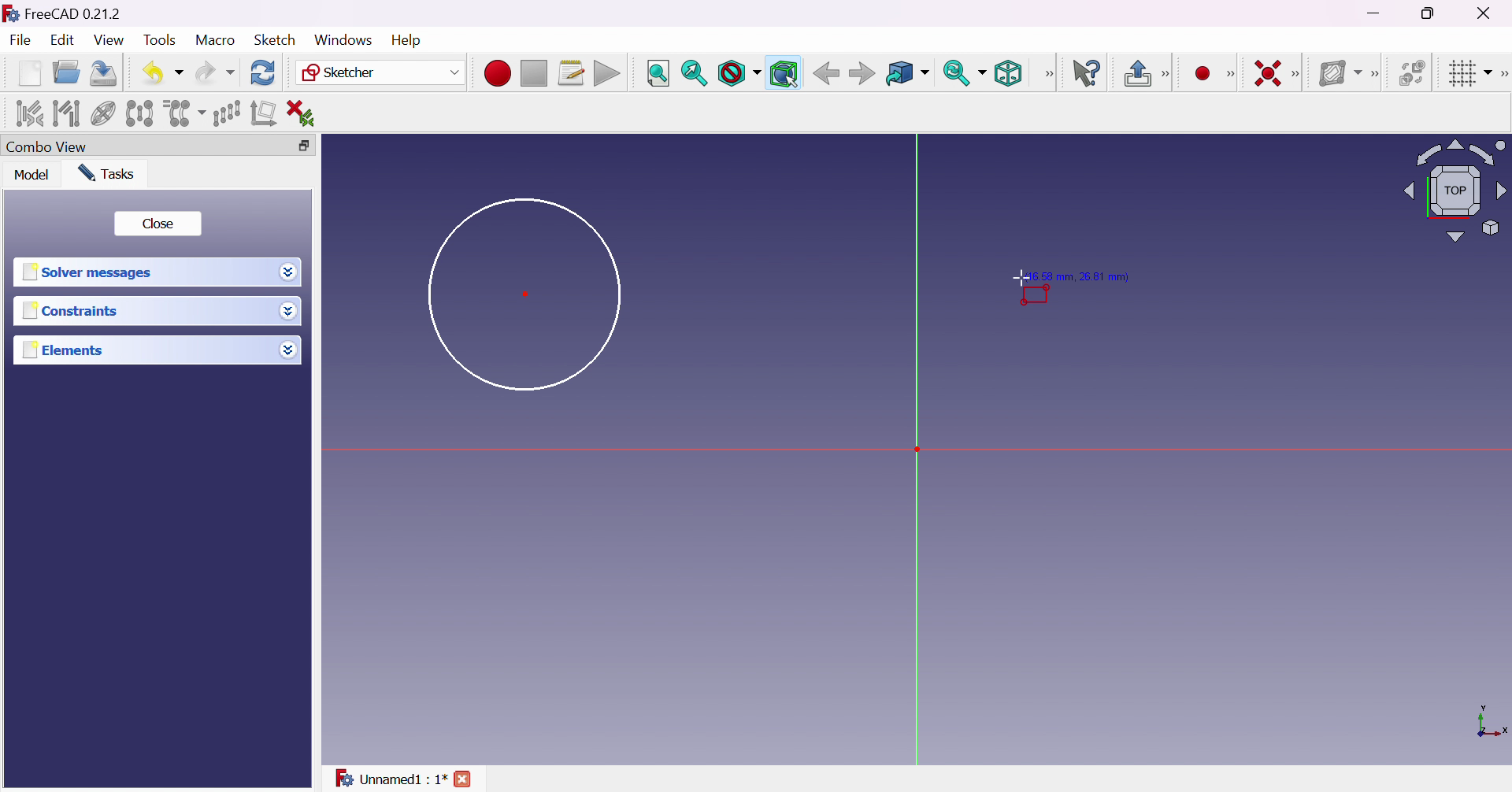 The width and height of the screenshot is (1512, 792). Describe the element at coordinates (27, 113) in the screenshot. I see `Select associated constraints` at that location.